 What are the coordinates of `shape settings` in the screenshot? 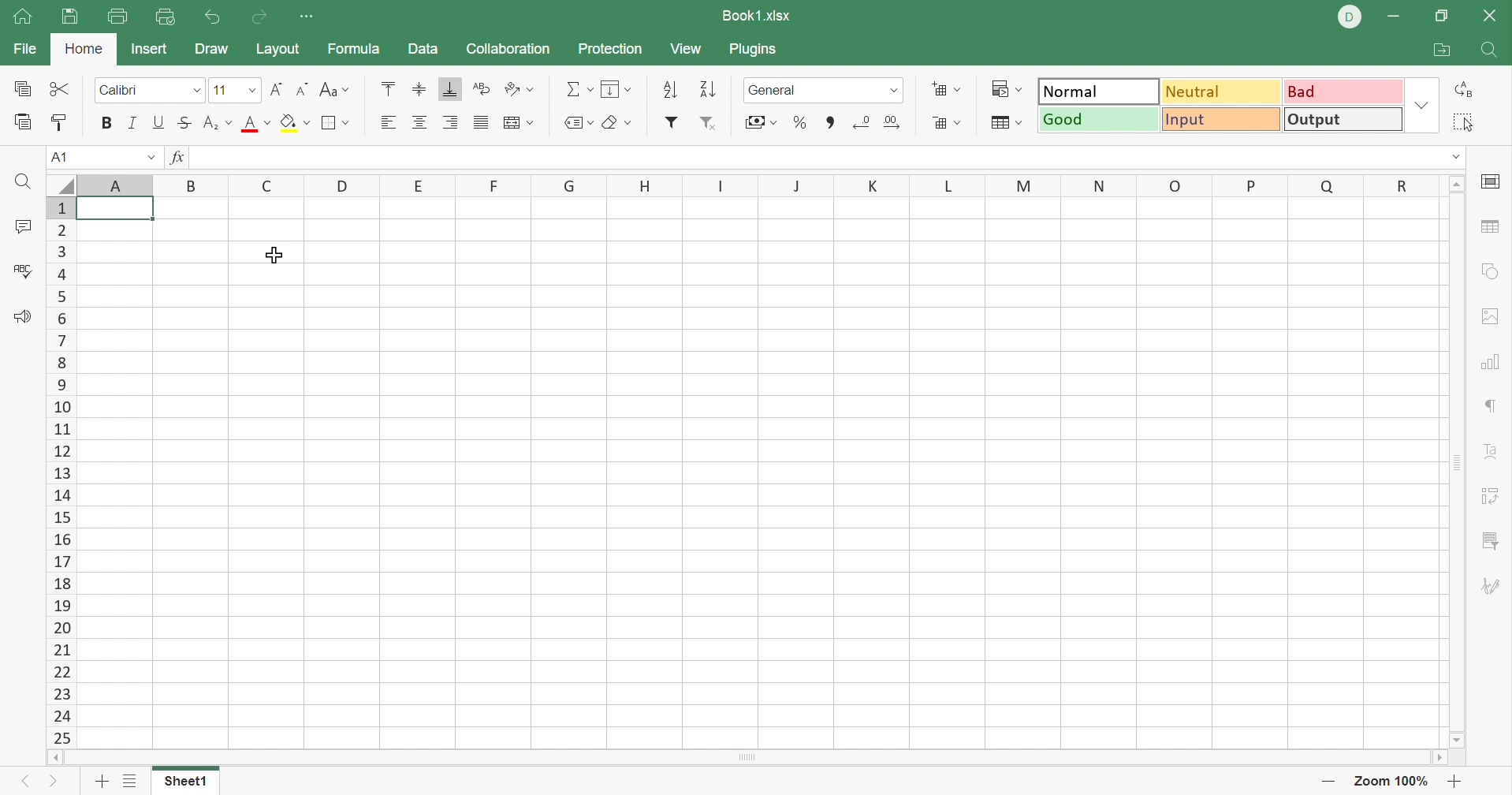 It's located at (1491, 272).